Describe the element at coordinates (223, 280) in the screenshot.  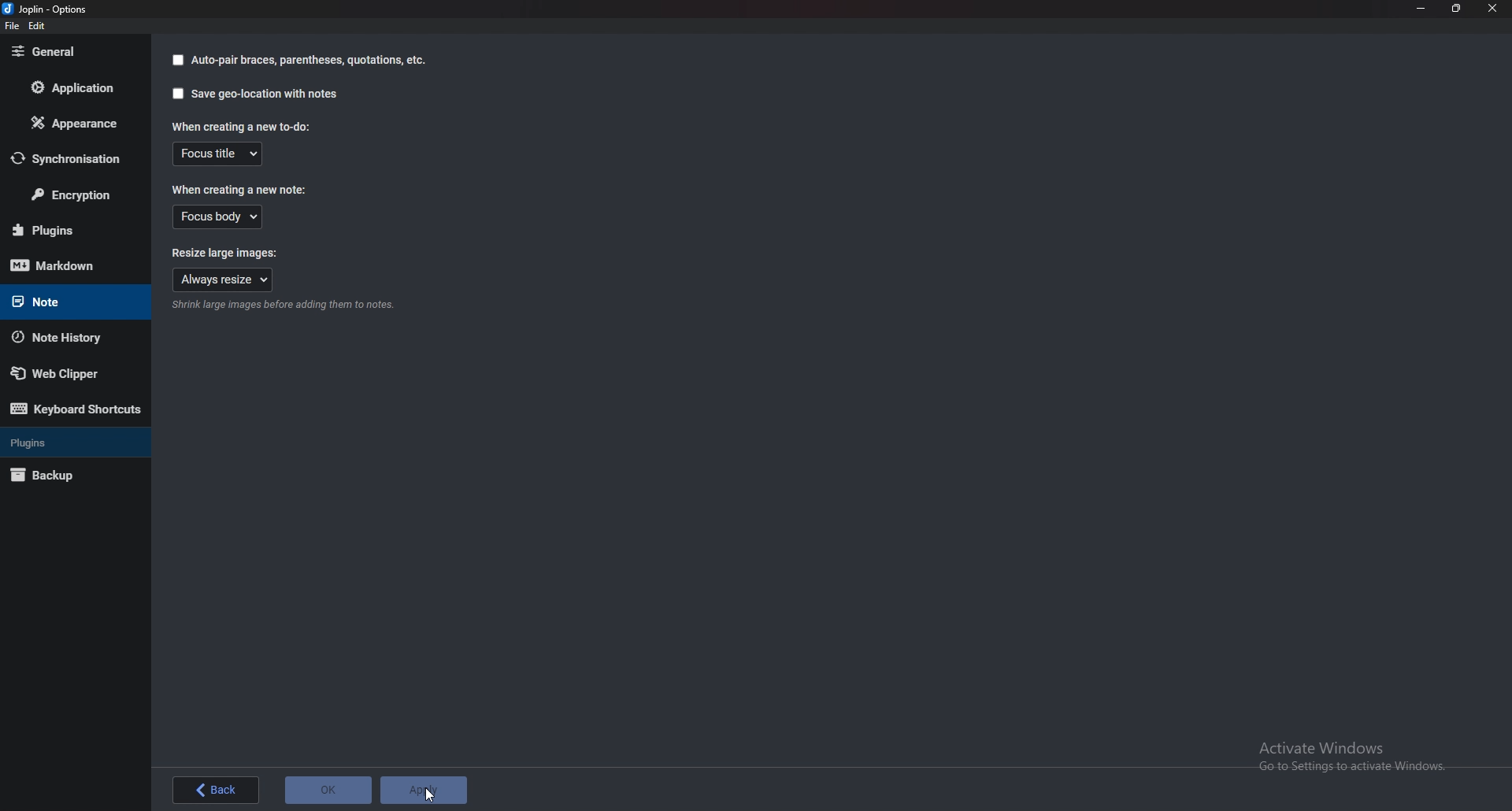
I see `Never resize` at that location.